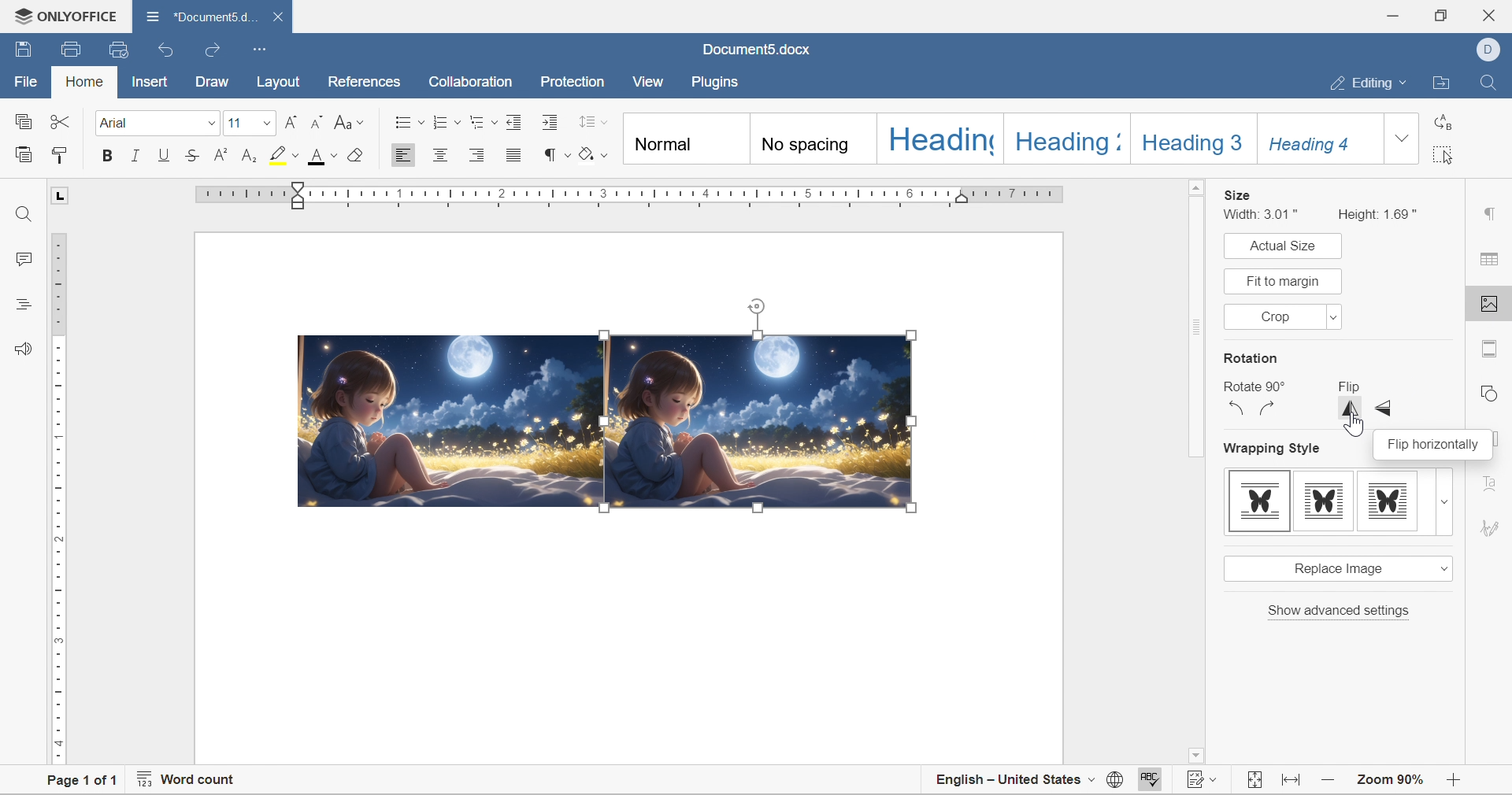  Describe the element at coordinates (210, 79) in the screenshot. I see `draw` at that location.